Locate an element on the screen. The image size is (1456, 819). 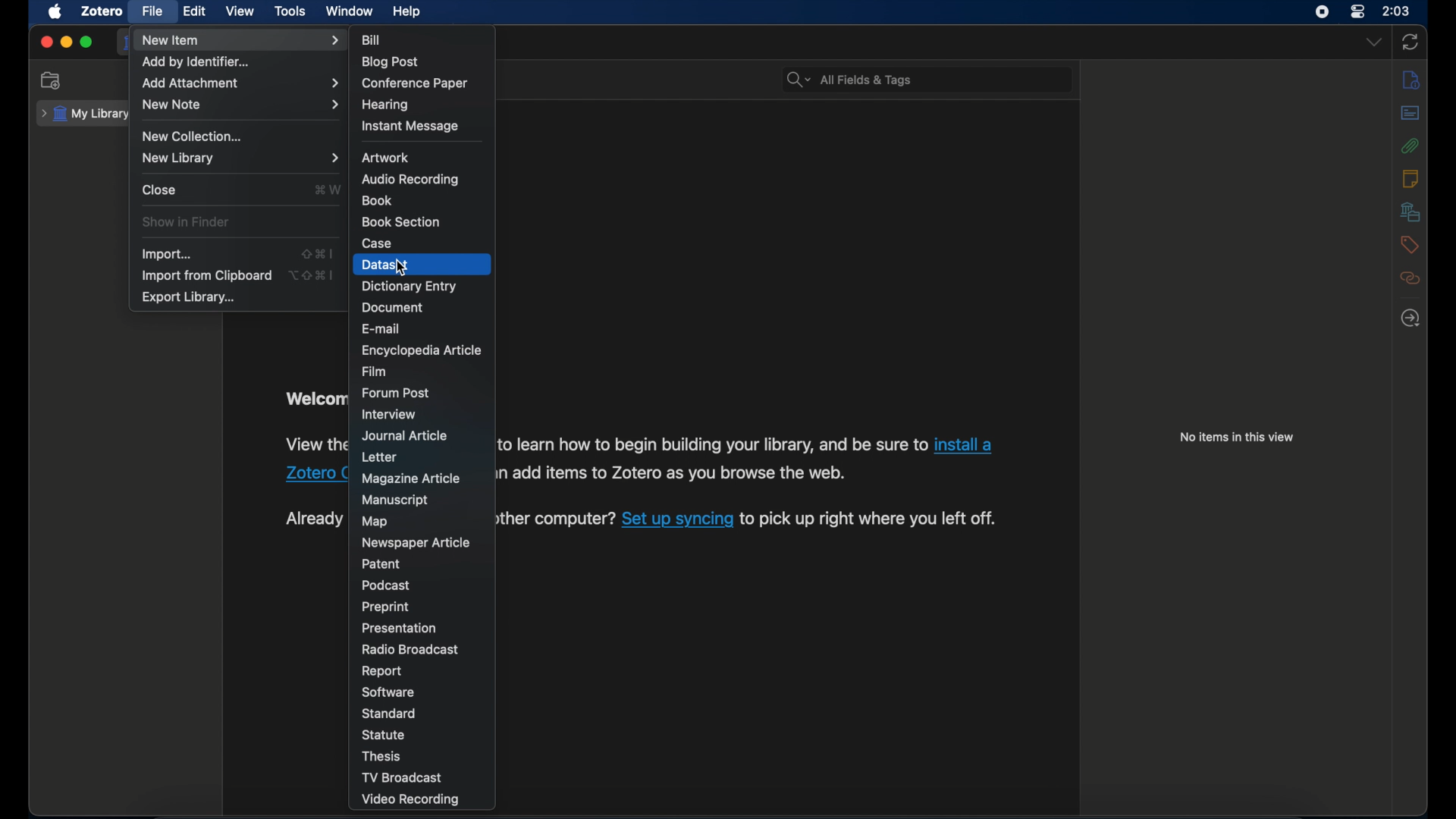
zotero is located at coordinates (102, 11).